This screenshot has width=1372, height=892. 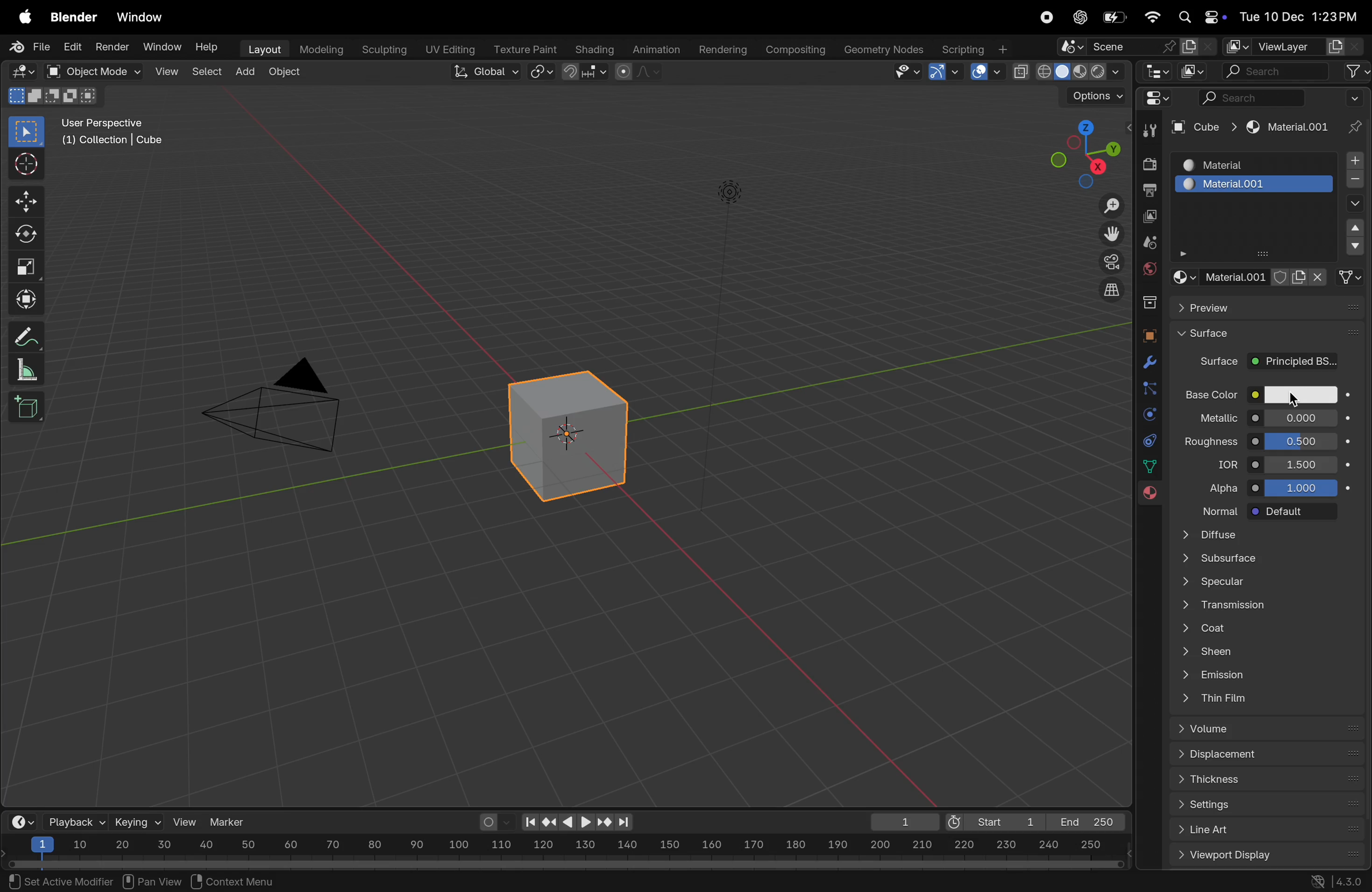 What do you see at coordinates (1147, 300) in the screenshot?
I see `collection` at bounding box center [1147, 300].